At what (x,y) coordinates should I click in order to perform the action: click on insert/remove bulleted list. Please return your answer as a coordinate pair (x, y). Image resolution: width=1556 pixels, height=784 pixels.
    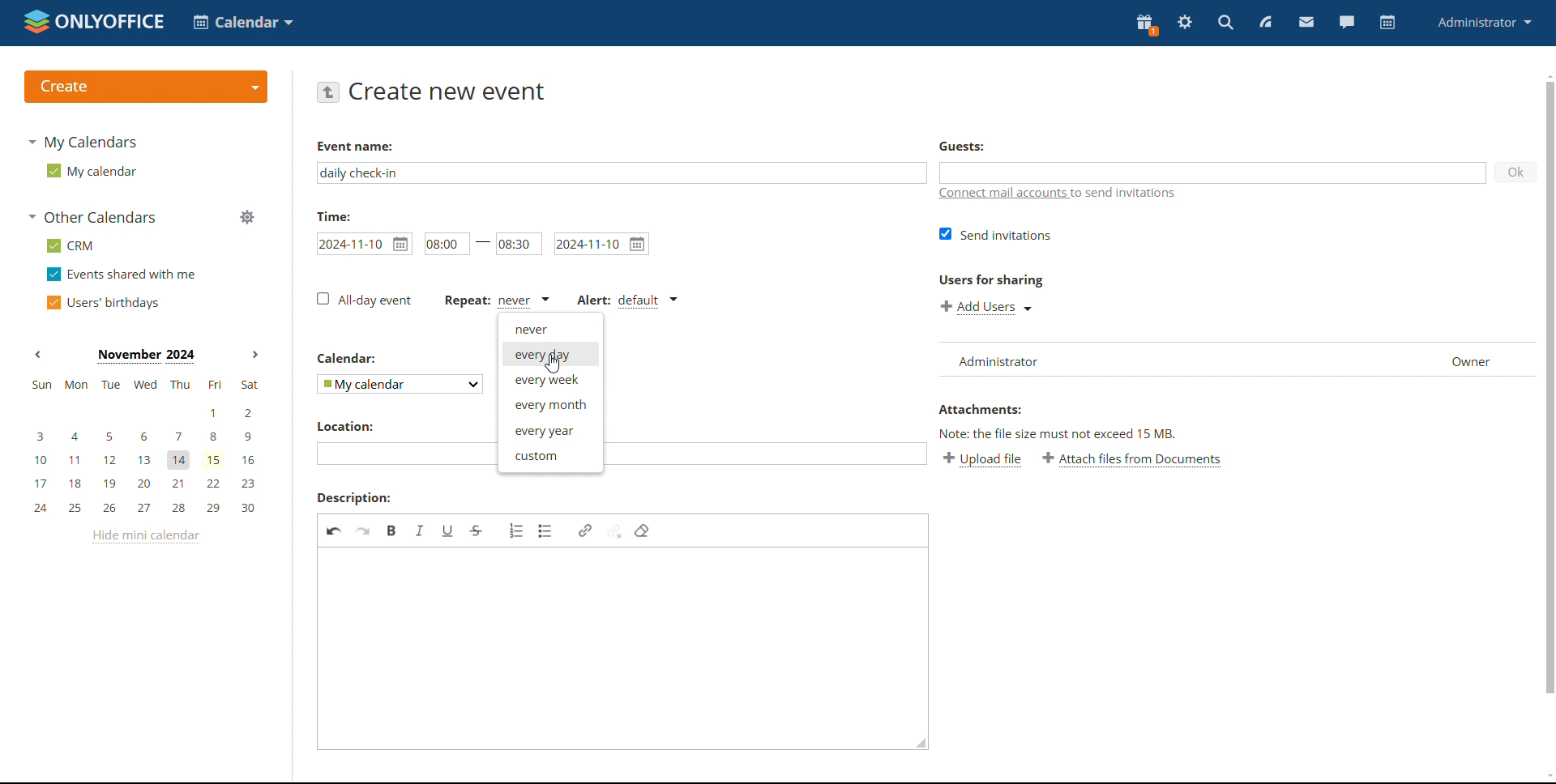
    Looking at the image, I should click on (546, 531).